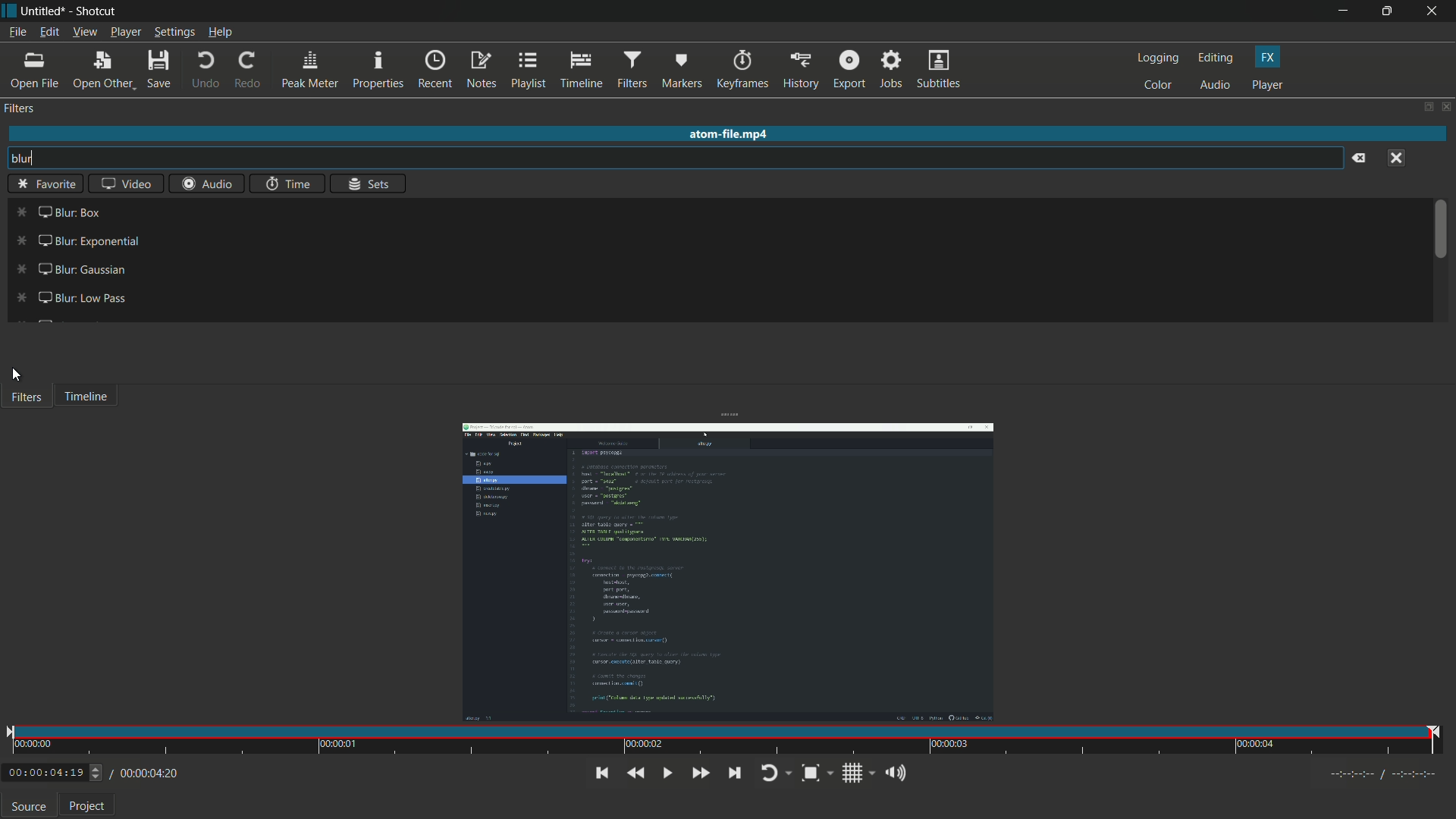 The height and width of the screenshot is (819, 1456). Describe the element at coordinates (847, 71) in the screenshot. I see `export` at that location.